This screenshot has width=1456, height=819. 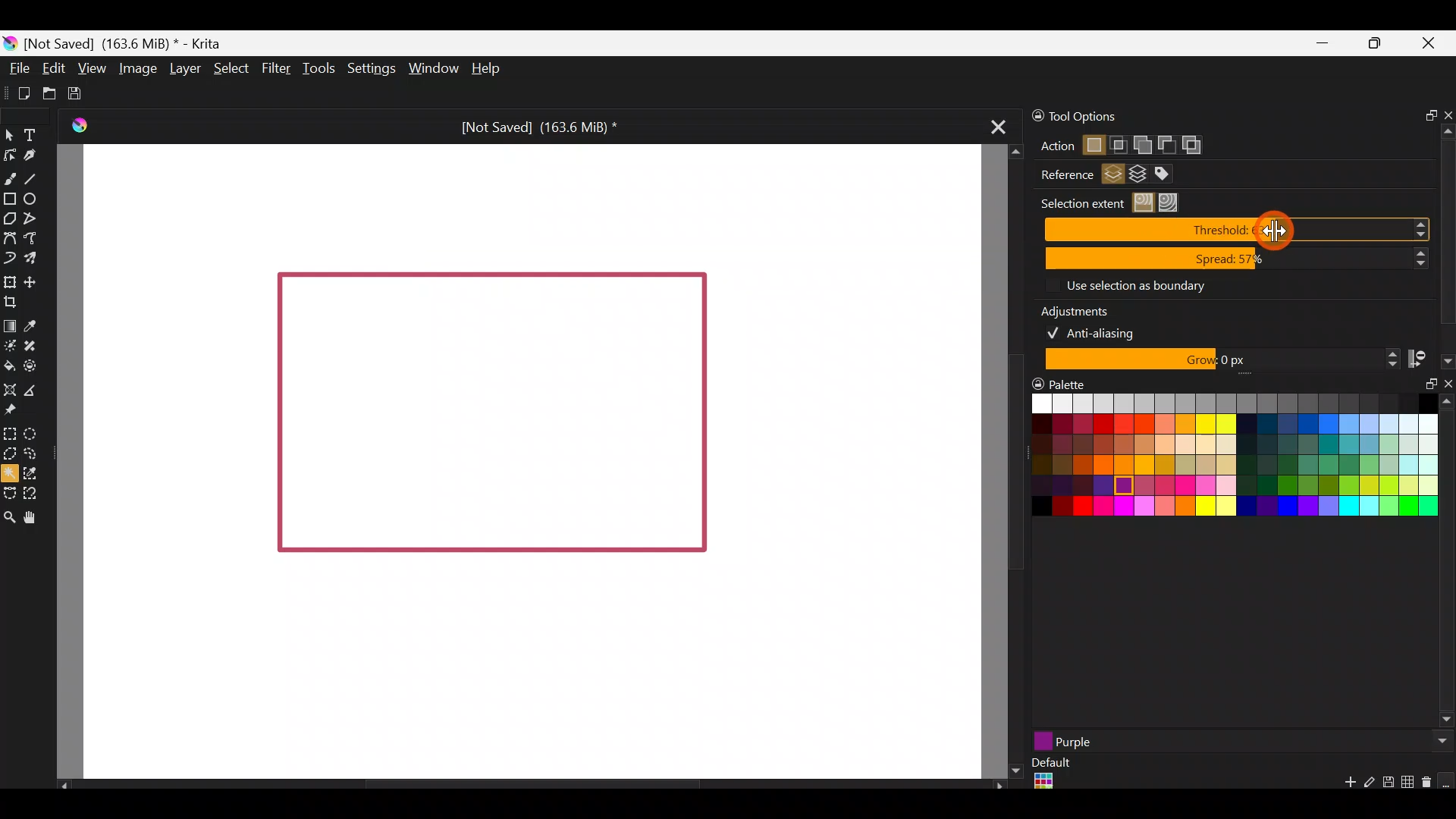 I want to click on Symmetric difference, so click(x=1197, y=145).